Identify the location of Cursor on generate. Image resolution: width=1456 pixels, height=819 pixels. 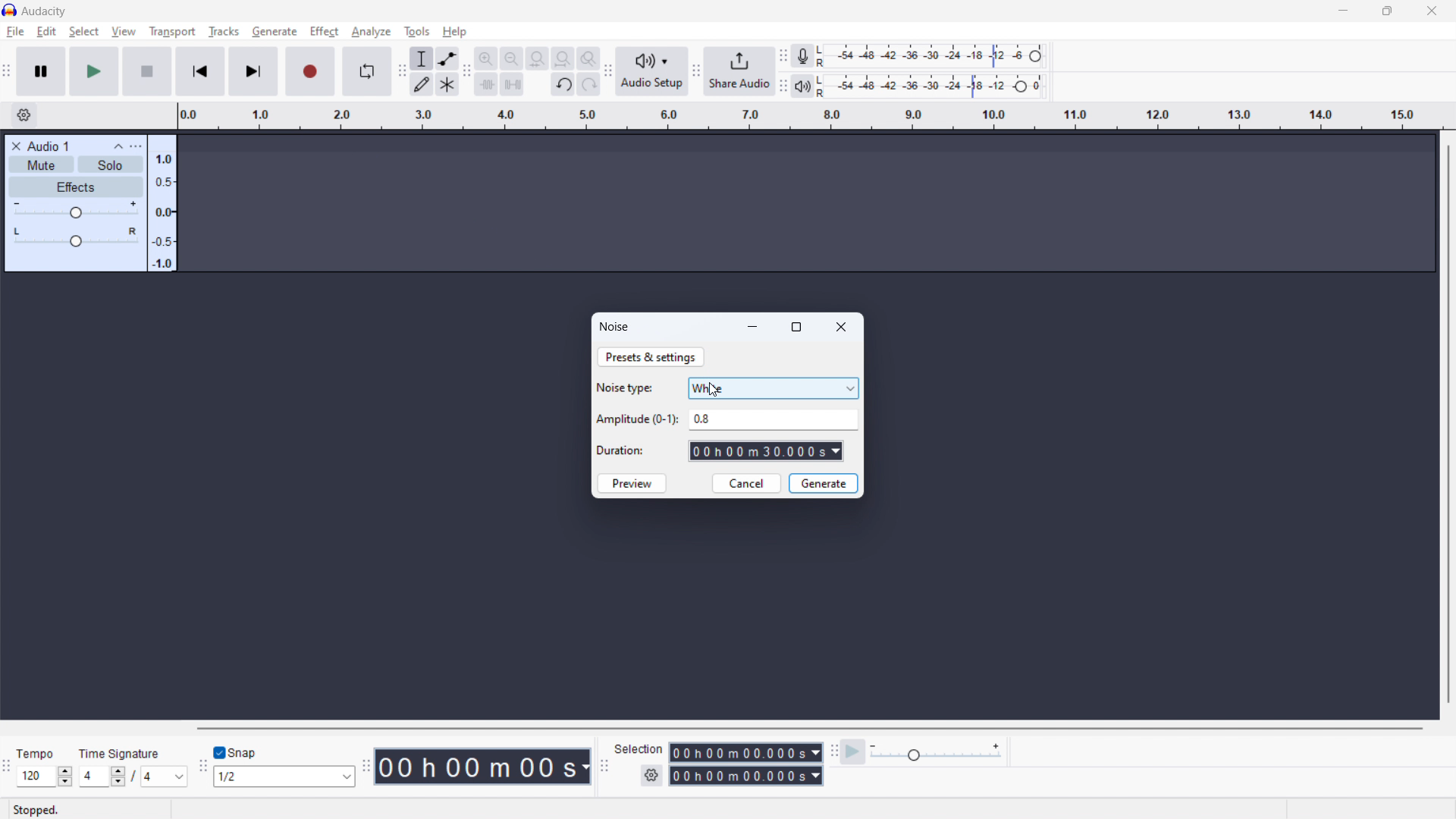
(275, 33).